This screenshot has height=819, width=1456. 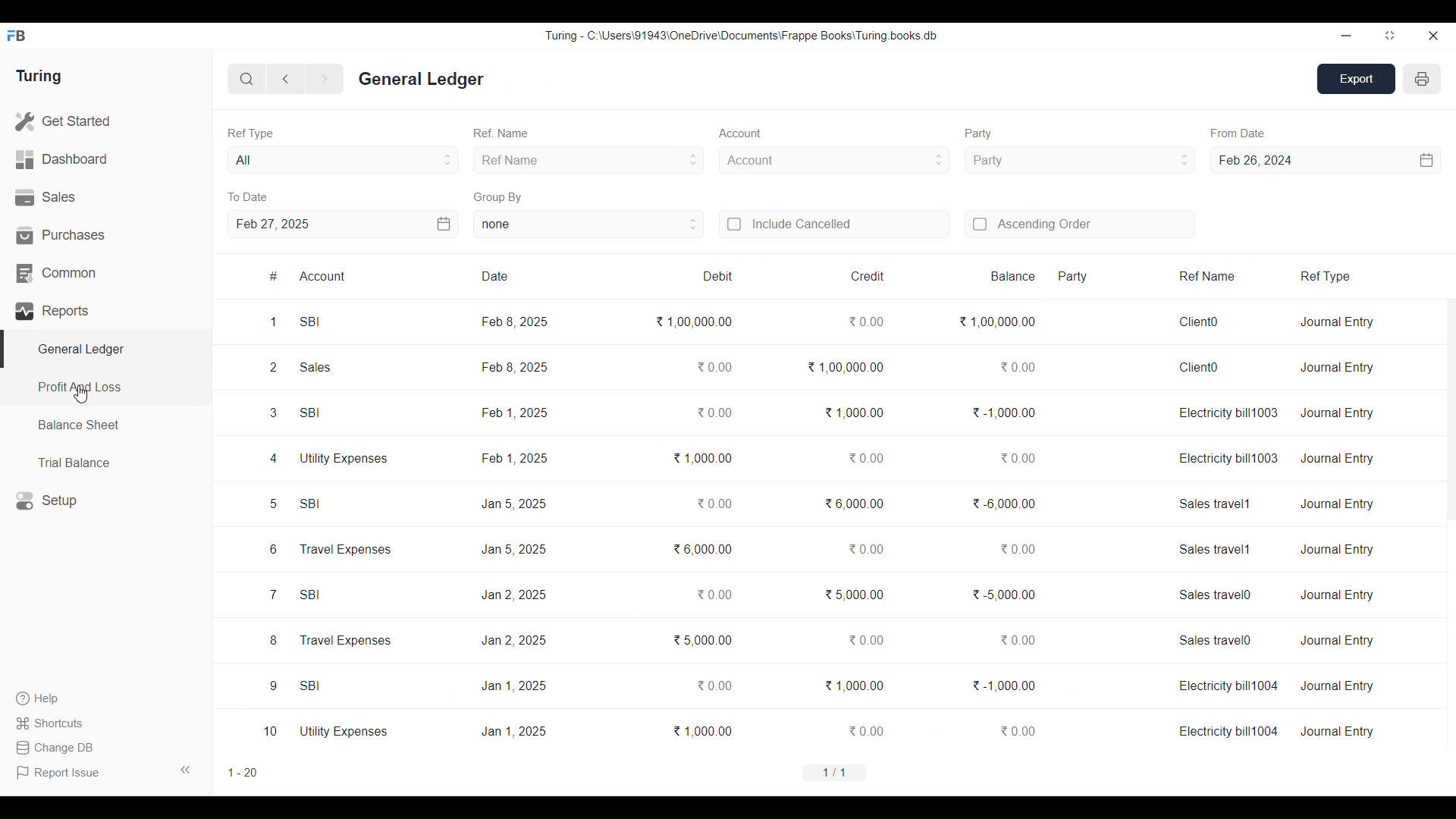 What do you see at coordinates (866, 322) in the screenshot?
I see `0.00` at bounding box center [866, 322].